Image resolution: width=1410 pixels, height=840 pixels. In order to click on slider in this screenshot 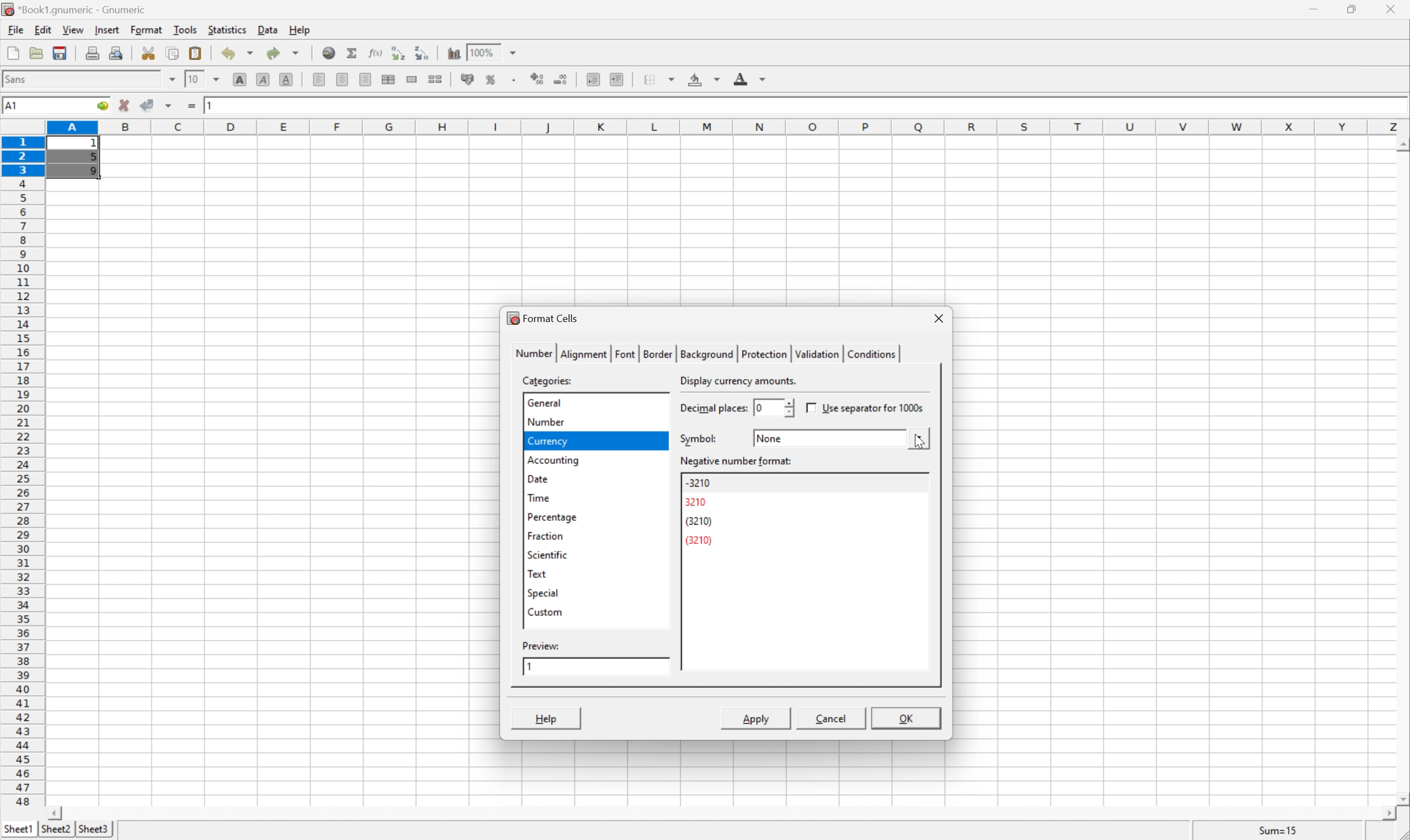, I will do `click(787, 407)`.